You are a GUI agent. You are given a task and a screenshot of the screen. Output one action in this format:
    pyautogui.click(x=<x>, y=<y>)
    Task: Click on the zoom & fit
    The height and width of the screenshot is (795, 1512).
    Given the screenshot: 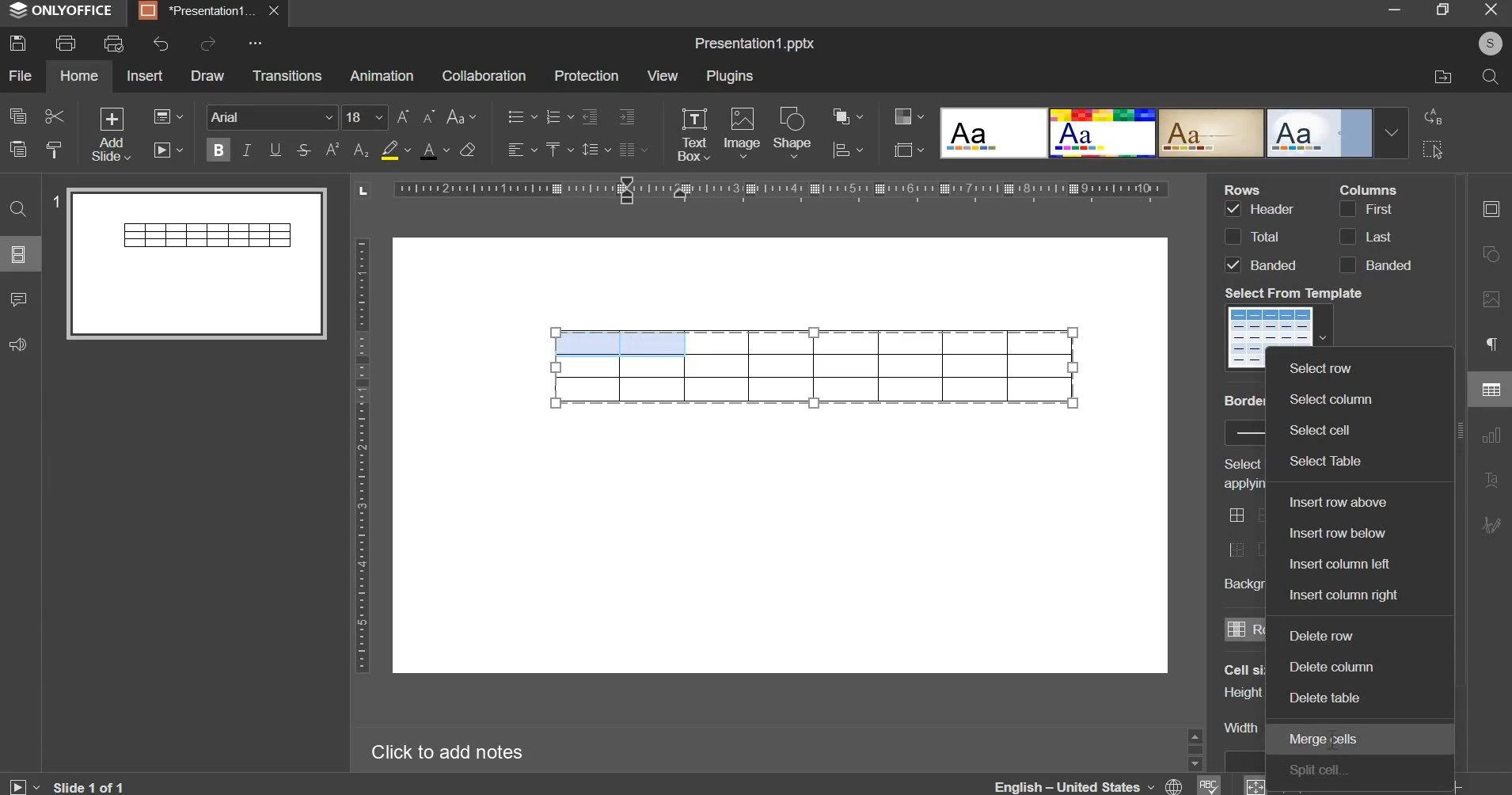 What is the action you would take?
    pyautogui.click(x=1256, y=785)
    